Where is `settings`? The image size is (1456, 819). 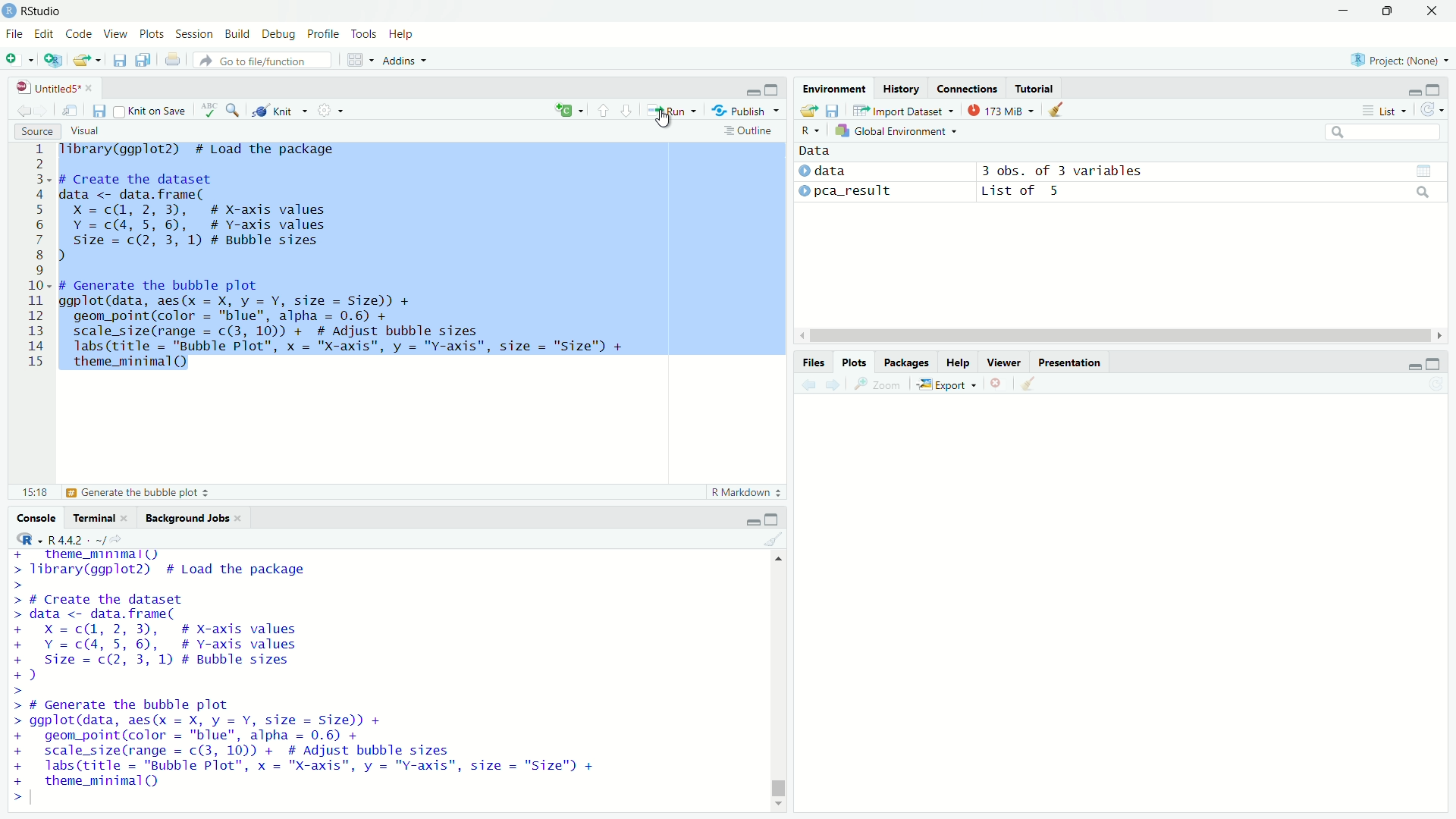
settings is located at coordinates (330, 111).